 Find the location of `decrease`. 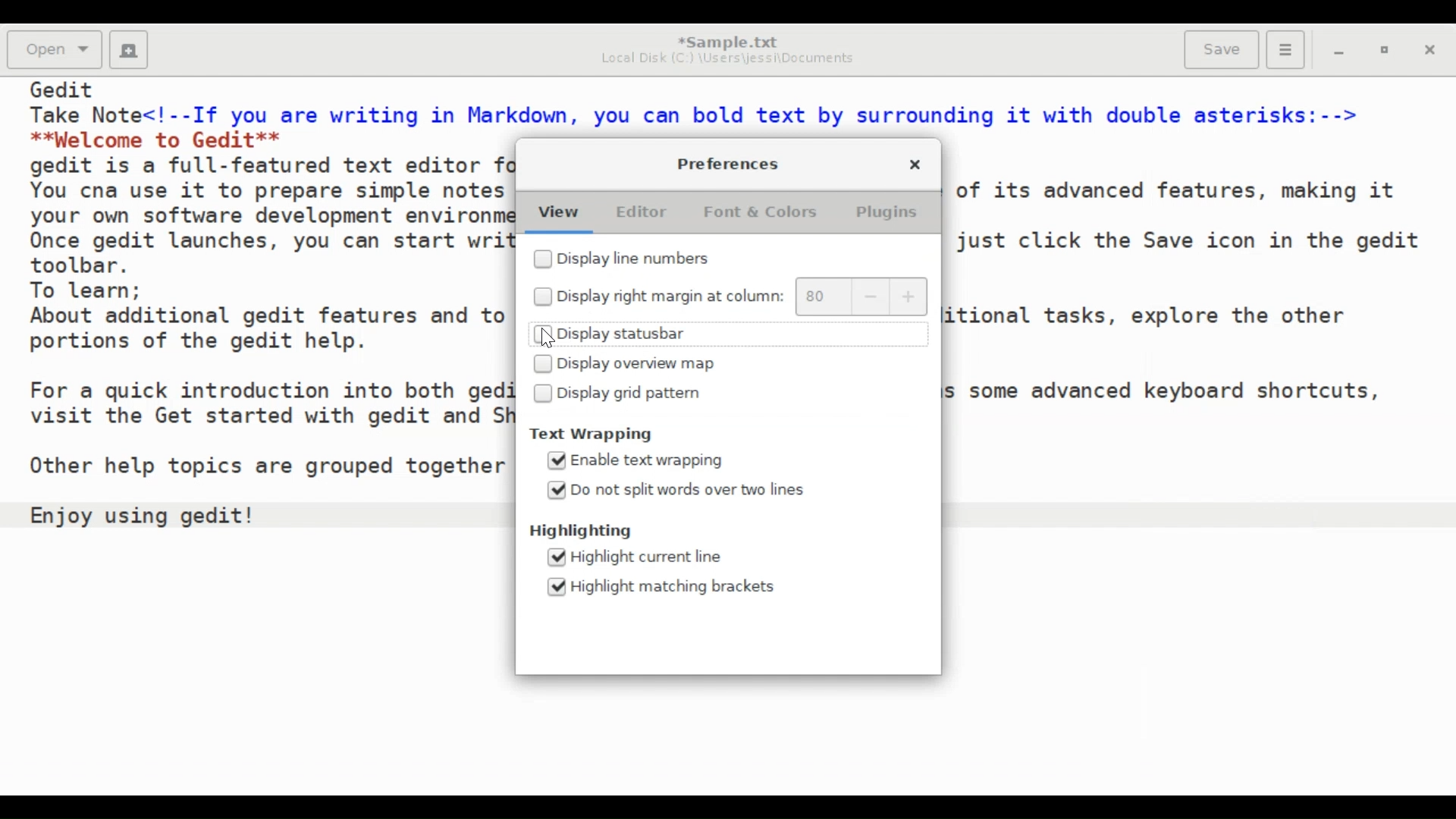

decrease is located at coordinates (871, 297).